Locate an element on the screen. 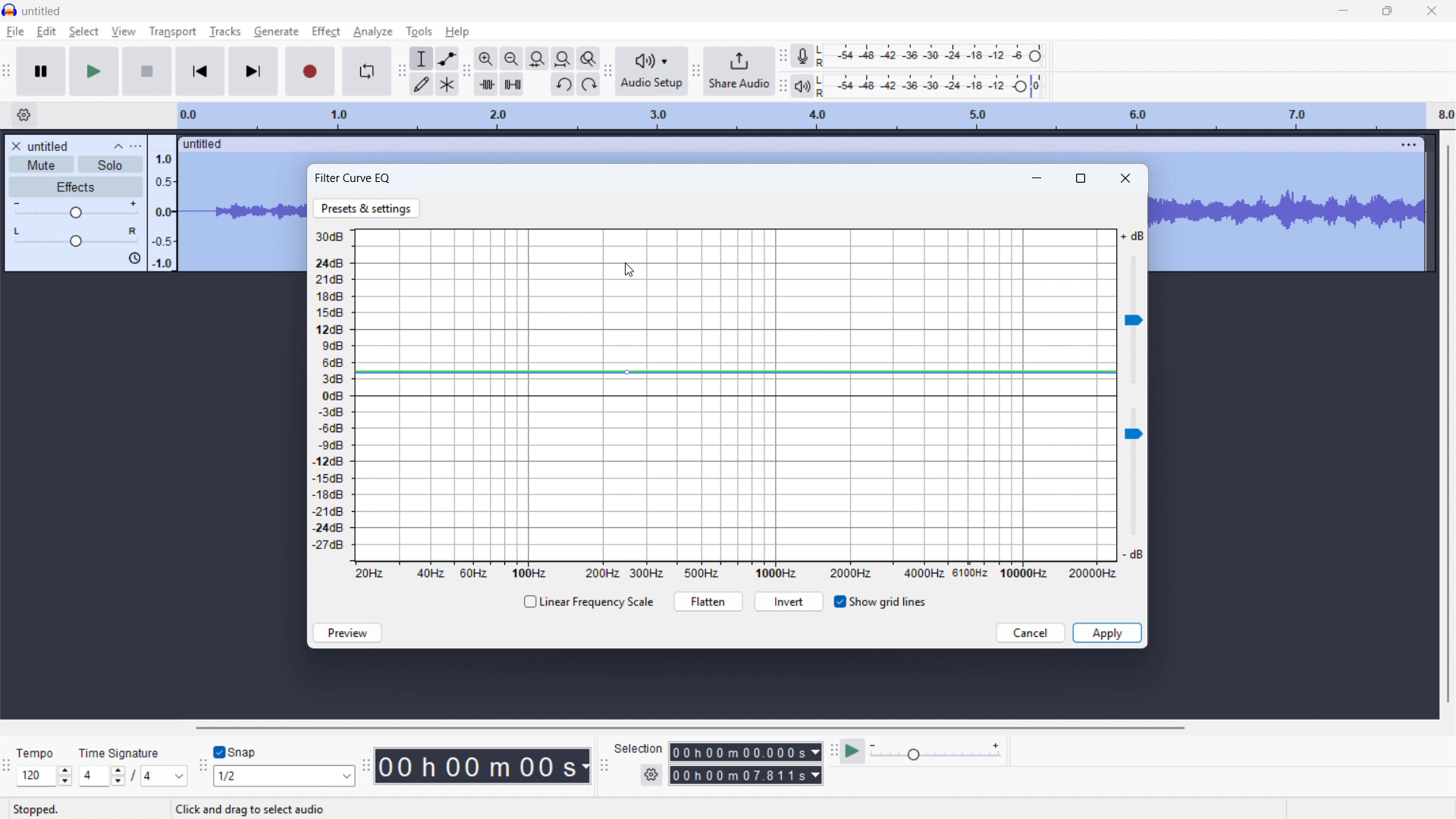 The image size is (1456, 819). Audio setup  is located at coordinates (651, 71).